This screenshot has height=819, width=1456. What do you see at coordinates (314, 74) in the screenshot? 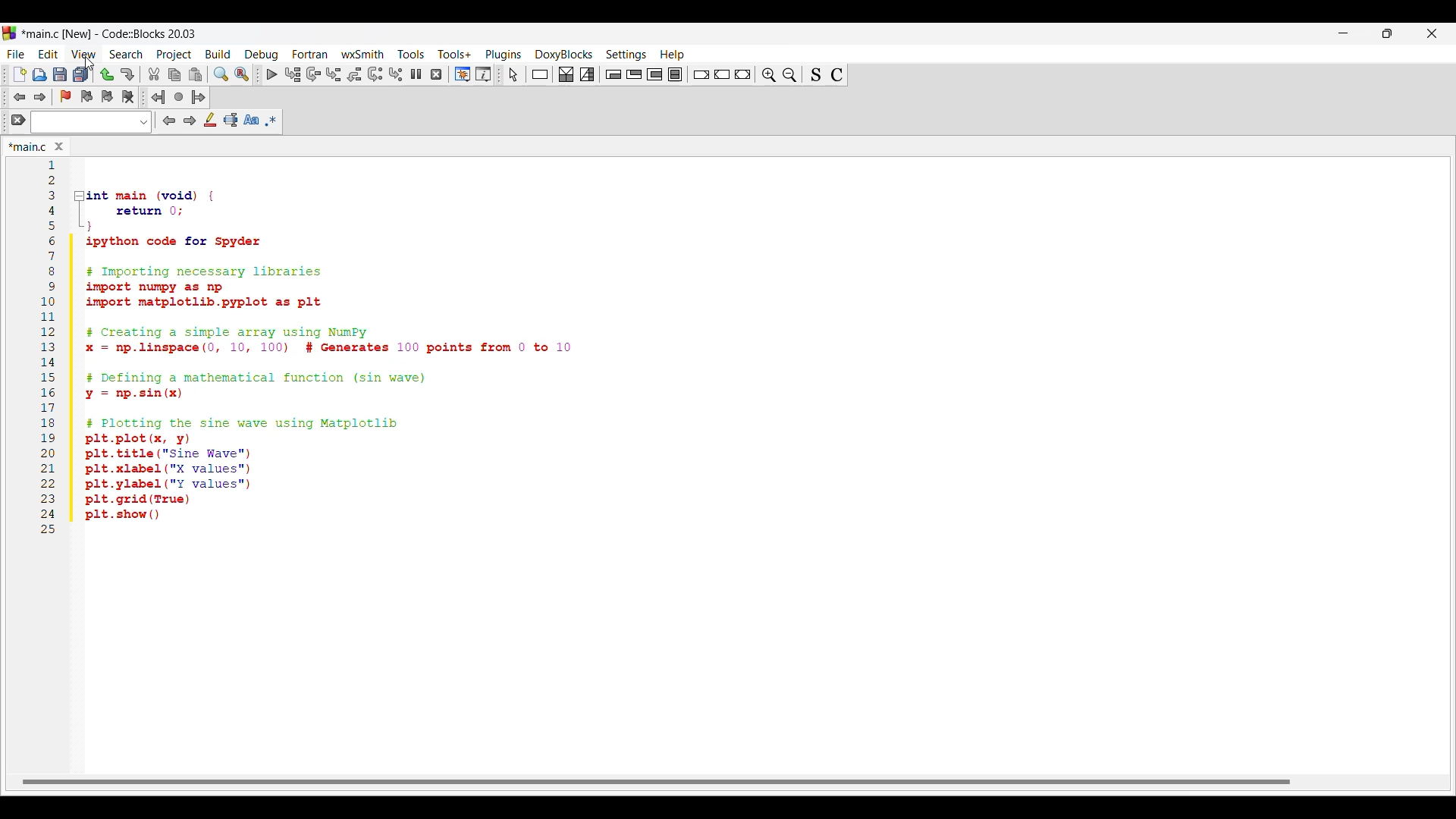
I see `Next line` at bounding box center [314, 74].